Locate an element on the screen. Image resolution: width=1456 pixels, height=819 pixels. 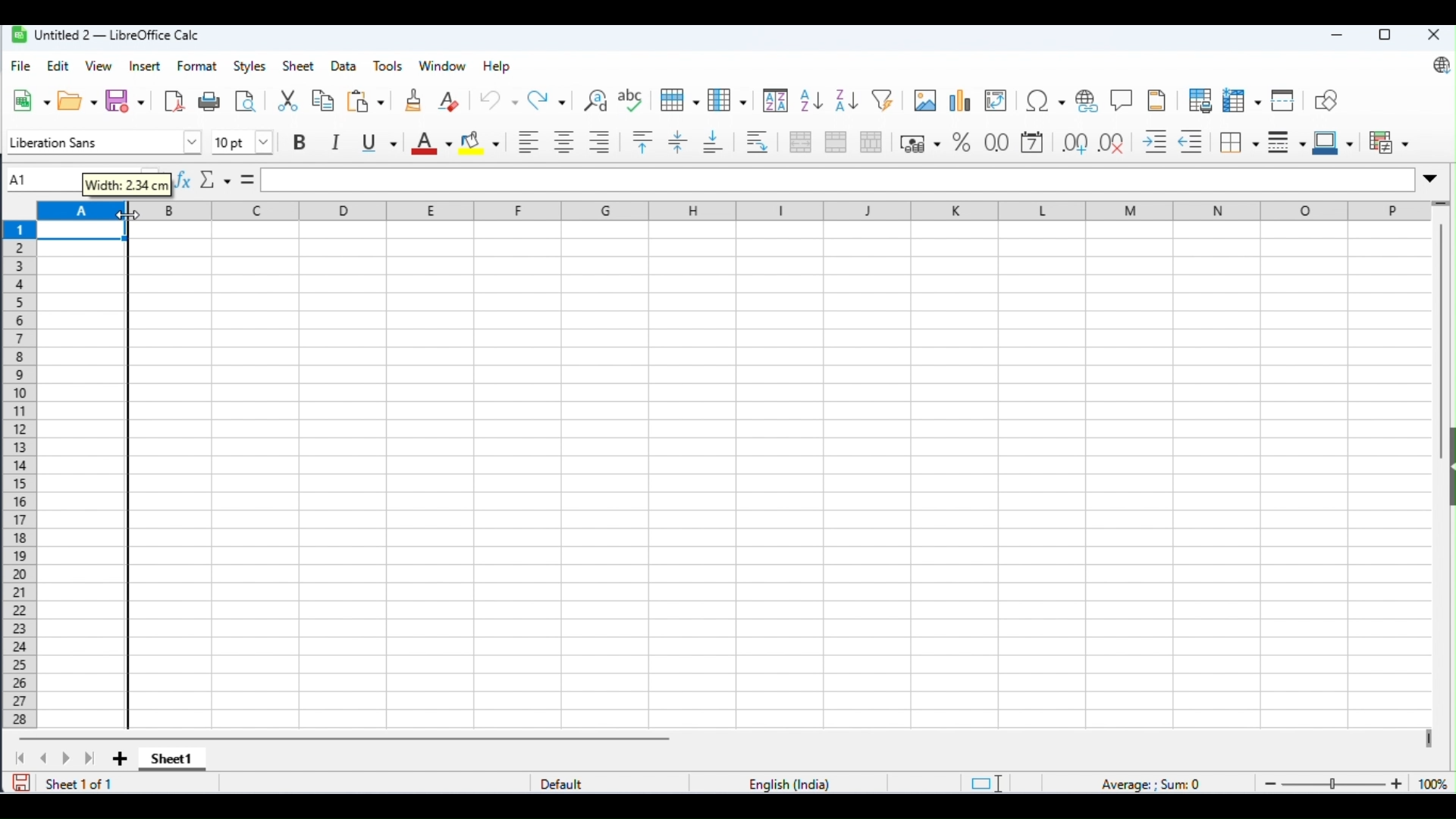
open is located at coordinates (78, 99).